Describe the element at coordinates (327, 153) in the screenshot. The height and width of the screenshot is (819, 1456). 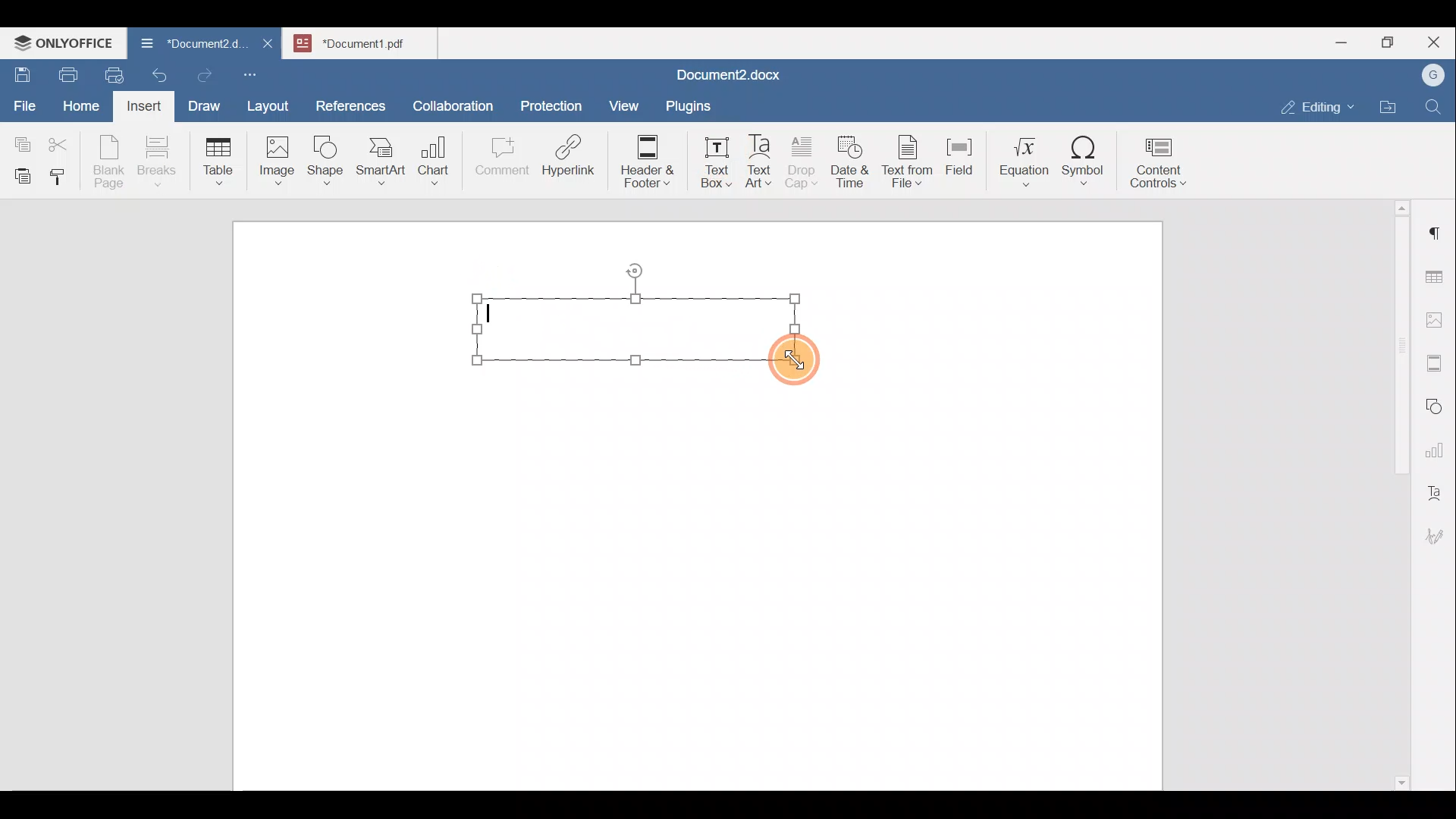
I see `Shape` at that location.